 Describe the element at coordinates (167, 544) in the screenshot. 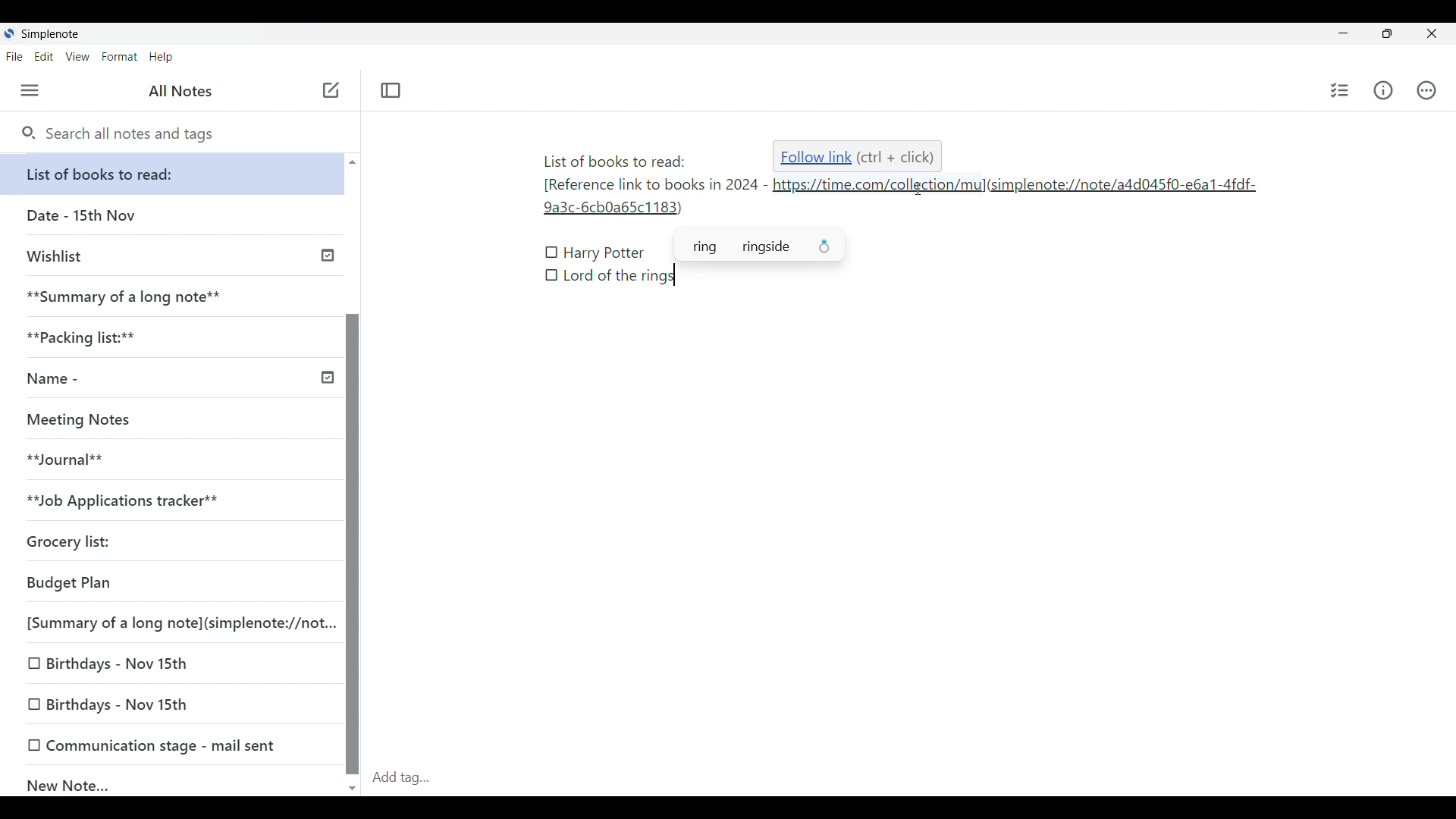

I see `Grocery list:` at that location.